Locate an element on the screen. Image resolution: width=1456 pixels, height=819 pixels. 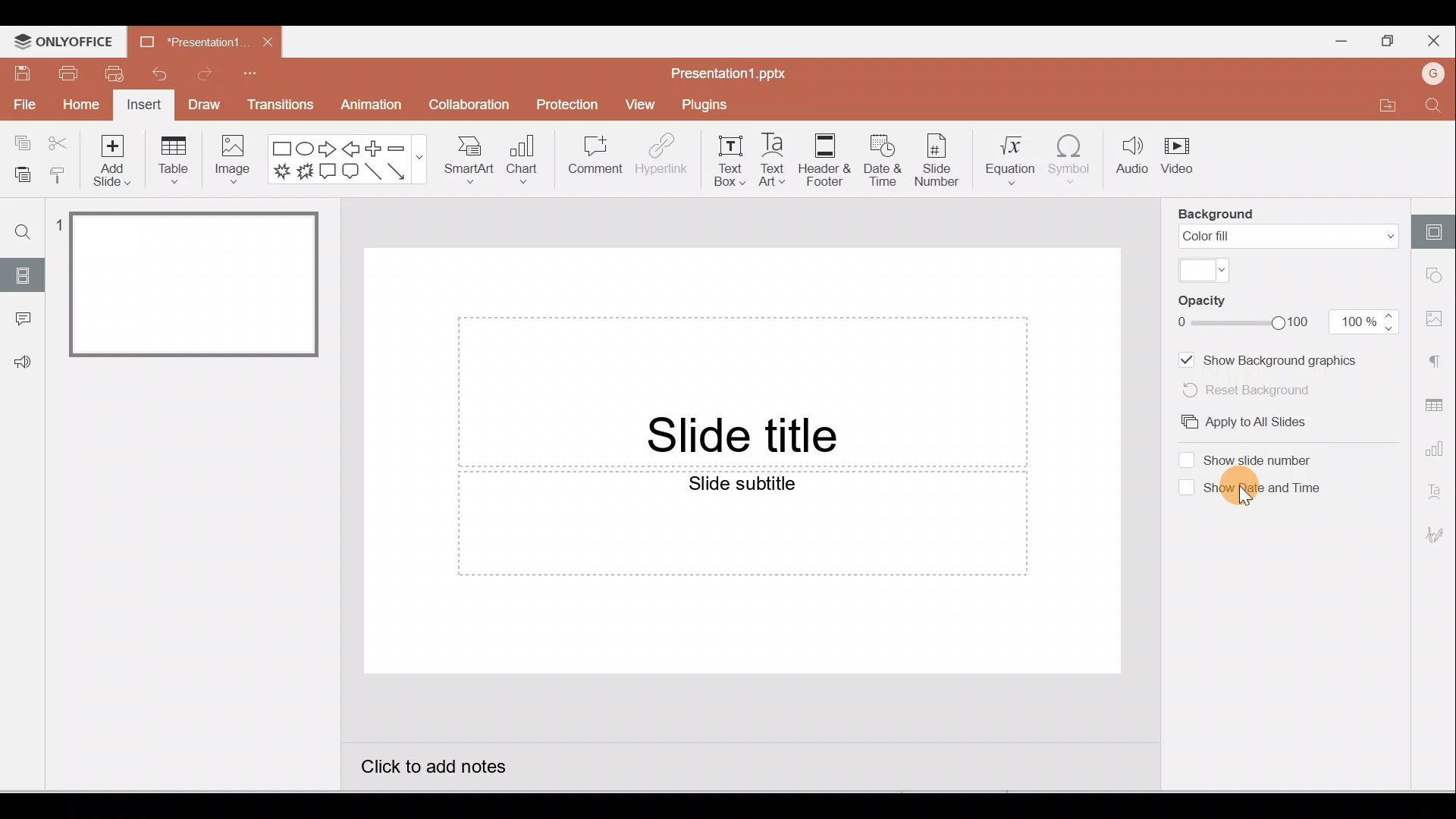
Master slide 3 is located at coordinates (212, 564).